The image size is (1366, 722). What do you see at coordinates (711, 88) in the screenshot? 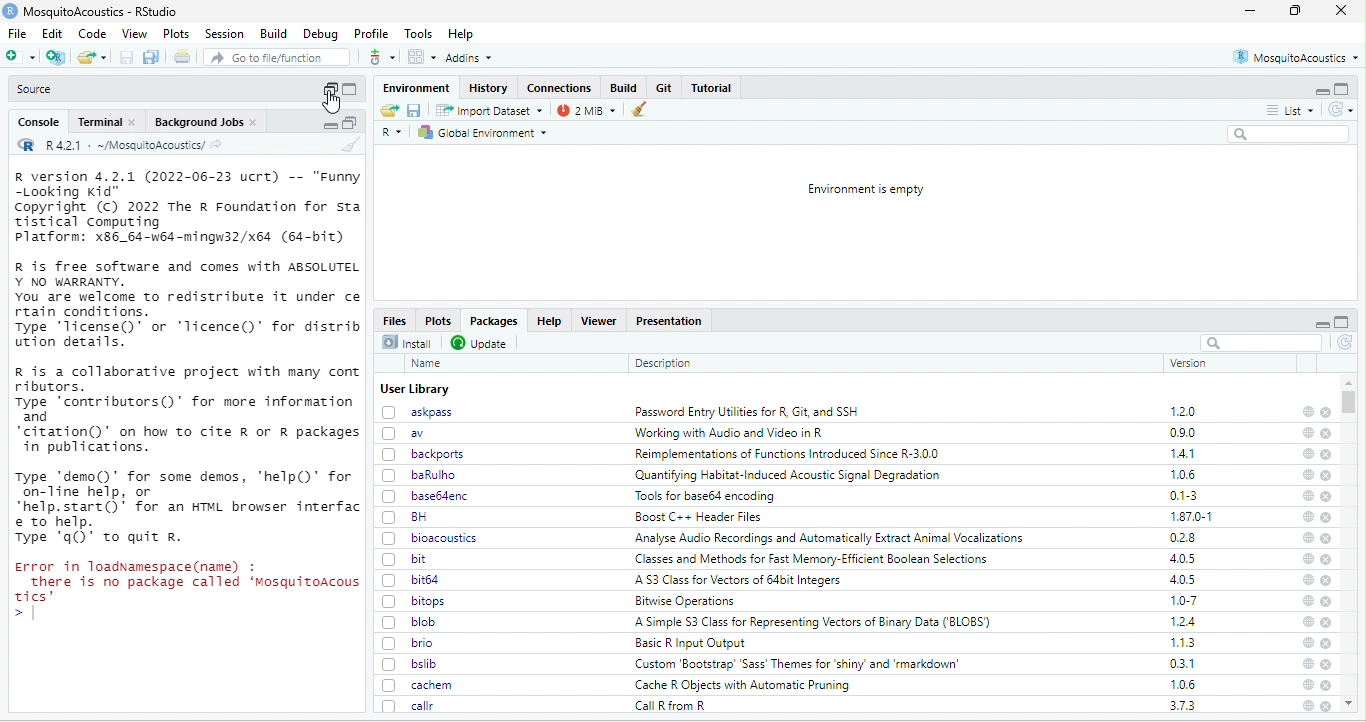
I see `Tutorial` at bounding box center [711, 88].